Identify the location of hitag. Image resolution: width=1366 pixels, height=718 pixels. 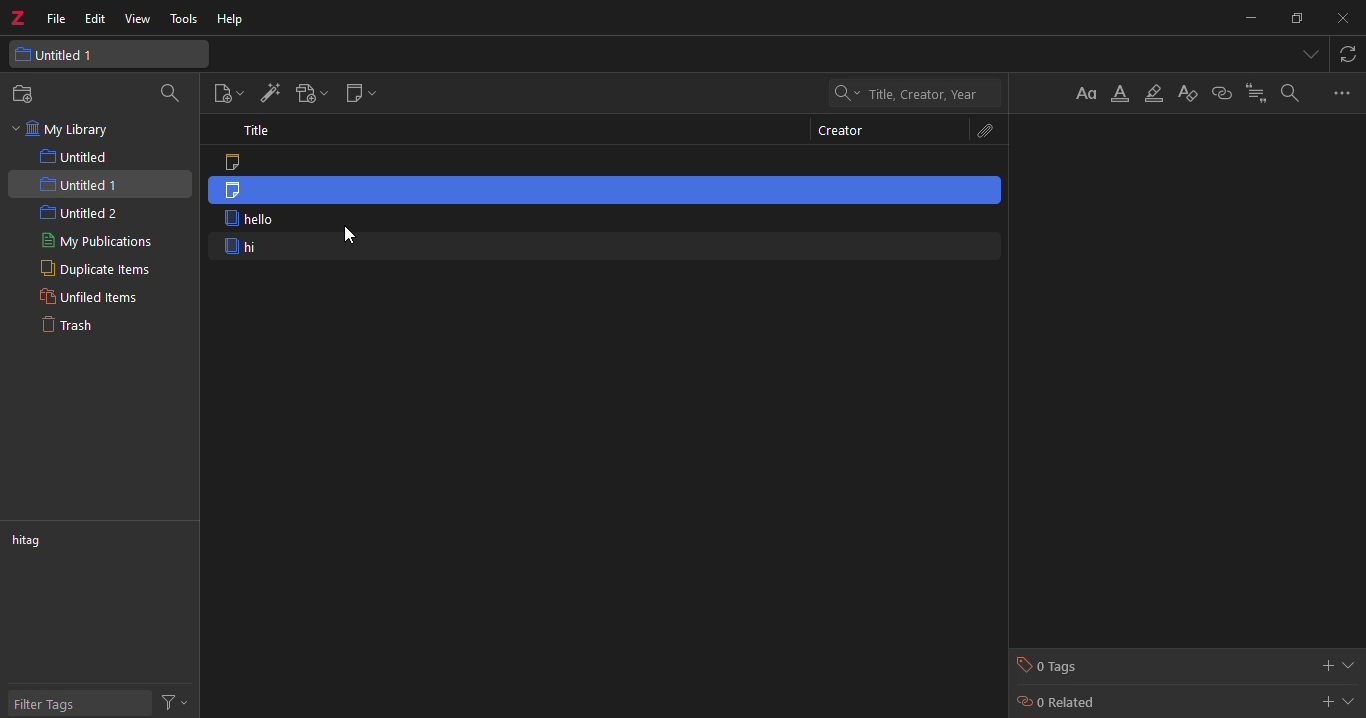
(36, 543).